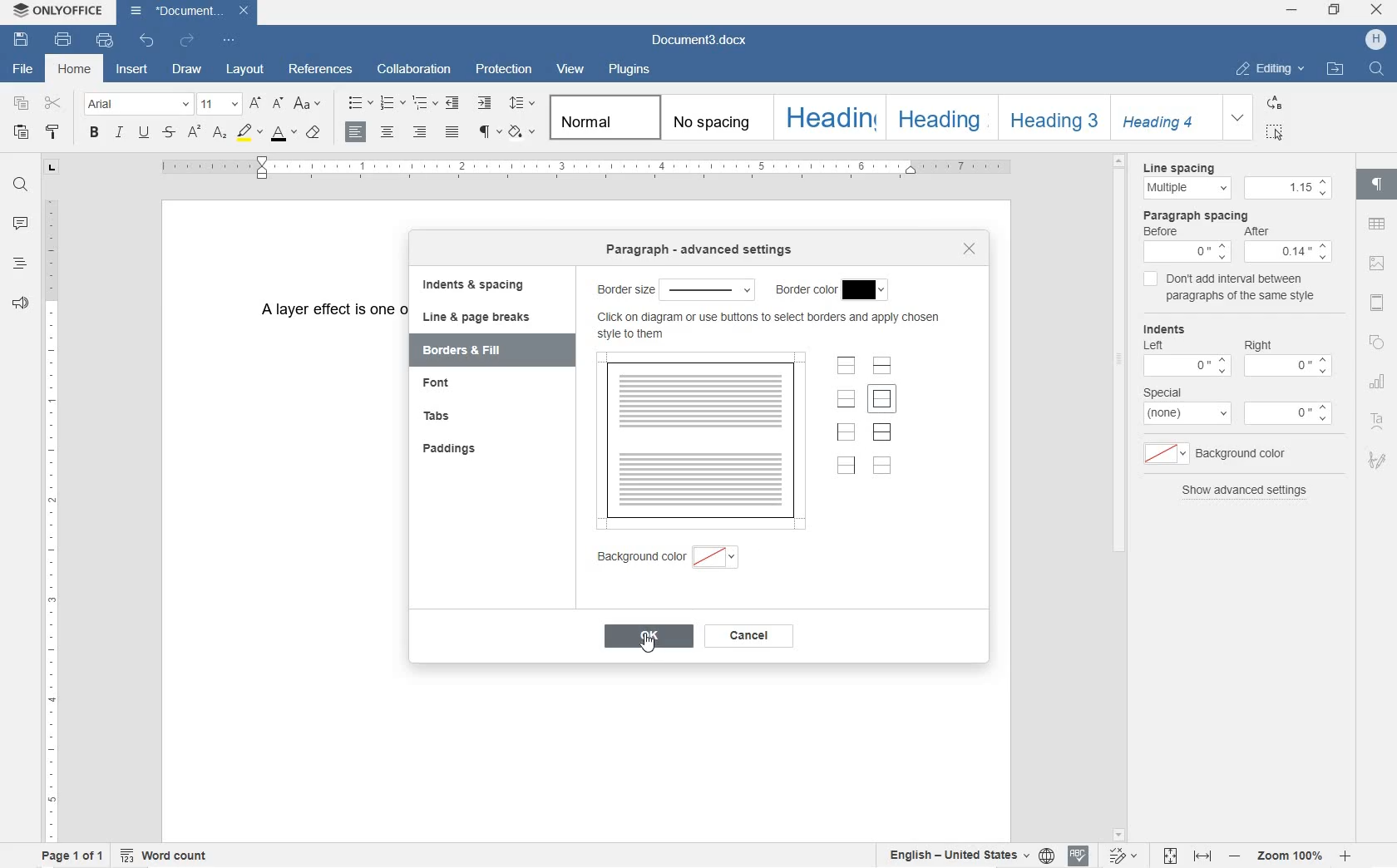 Image resolution: width=1397 pixels, height=868 pixels. What do you see at coordinates (704, 38) in the screenshot?
I see `DOCUMENT3.DOCX` at bounding box center [704, 38].